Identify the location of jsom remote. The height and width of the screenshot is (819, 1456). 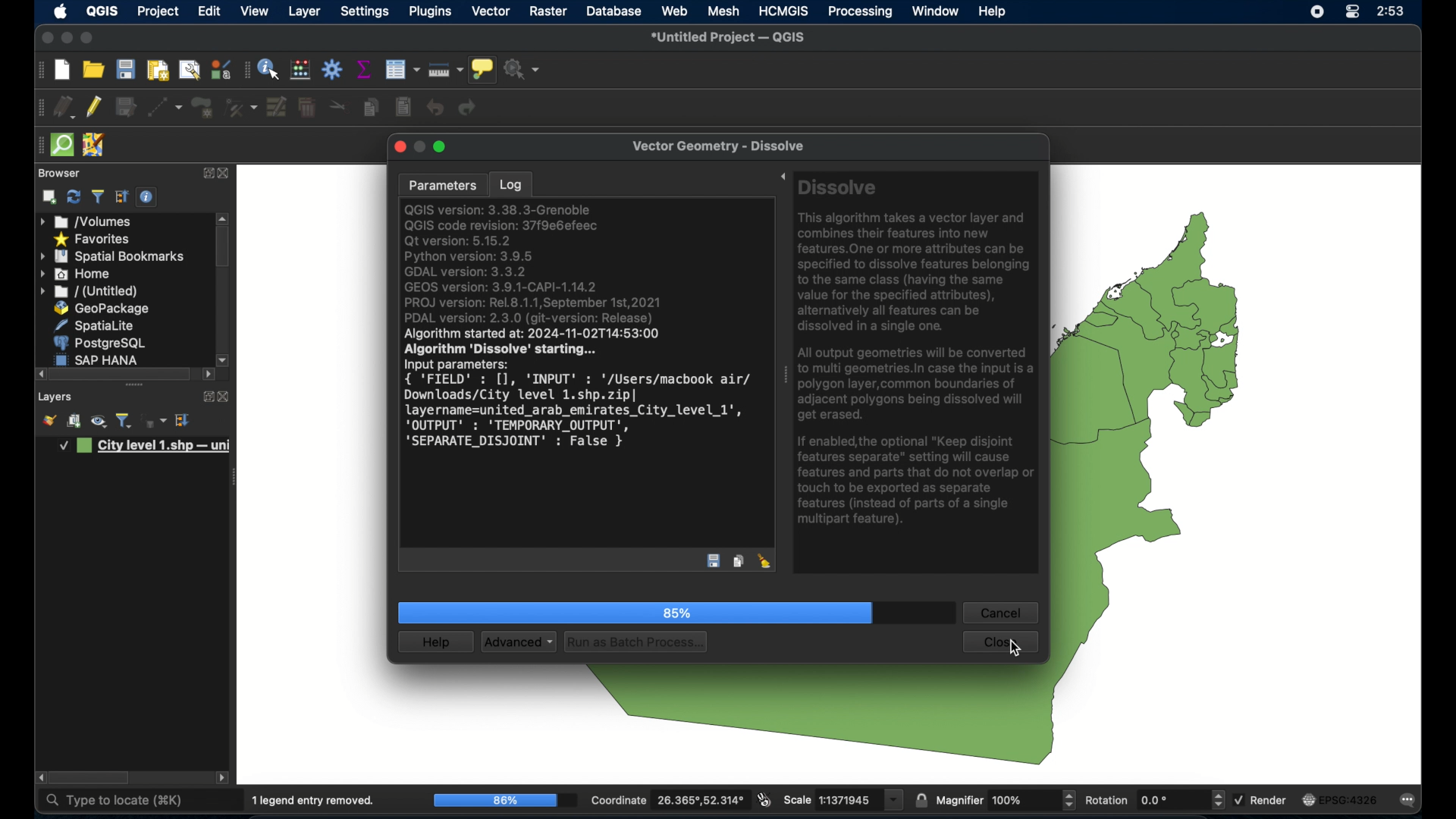
(95, 145).